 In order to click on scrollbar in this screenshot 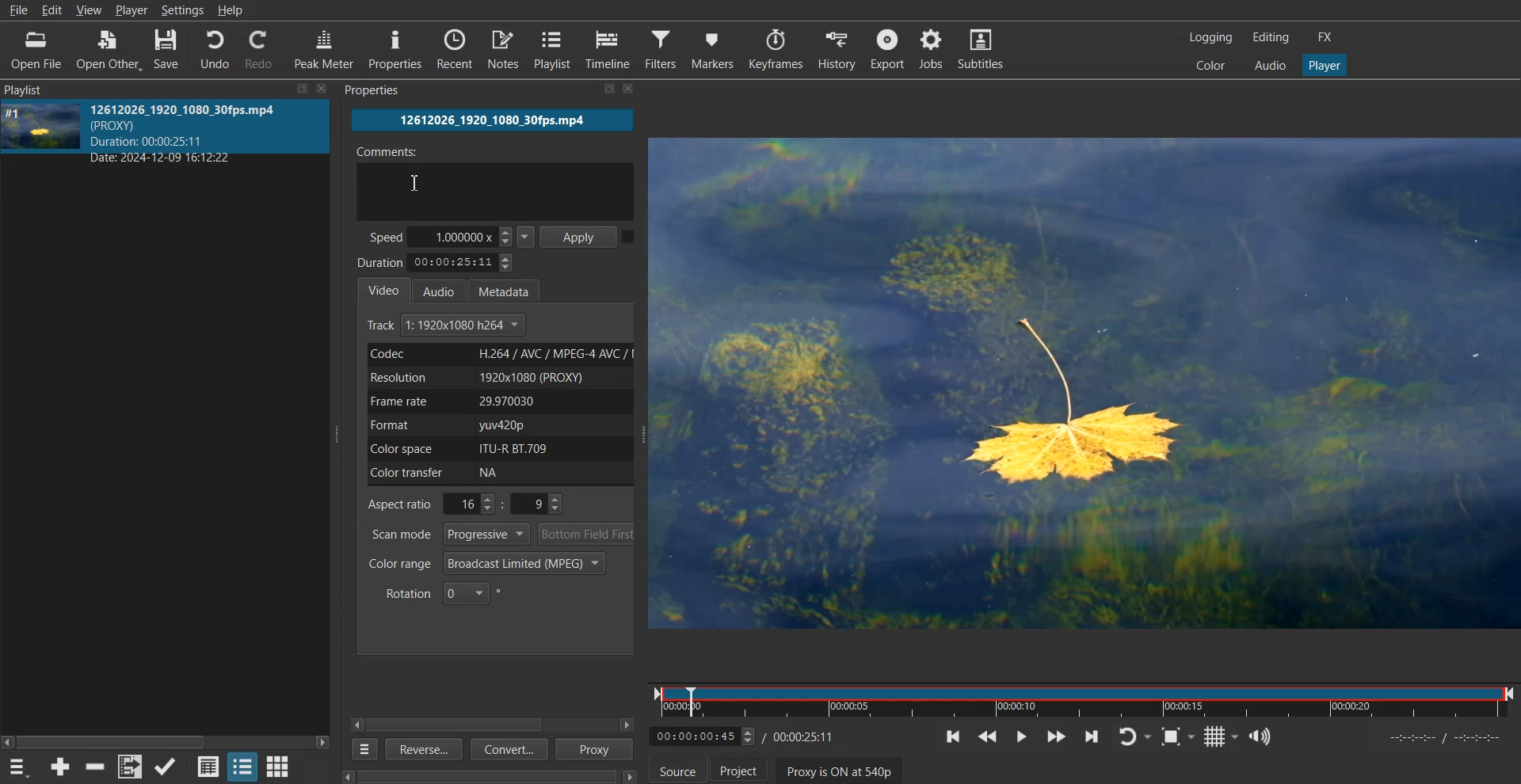, I will do `click(166, 736)`.